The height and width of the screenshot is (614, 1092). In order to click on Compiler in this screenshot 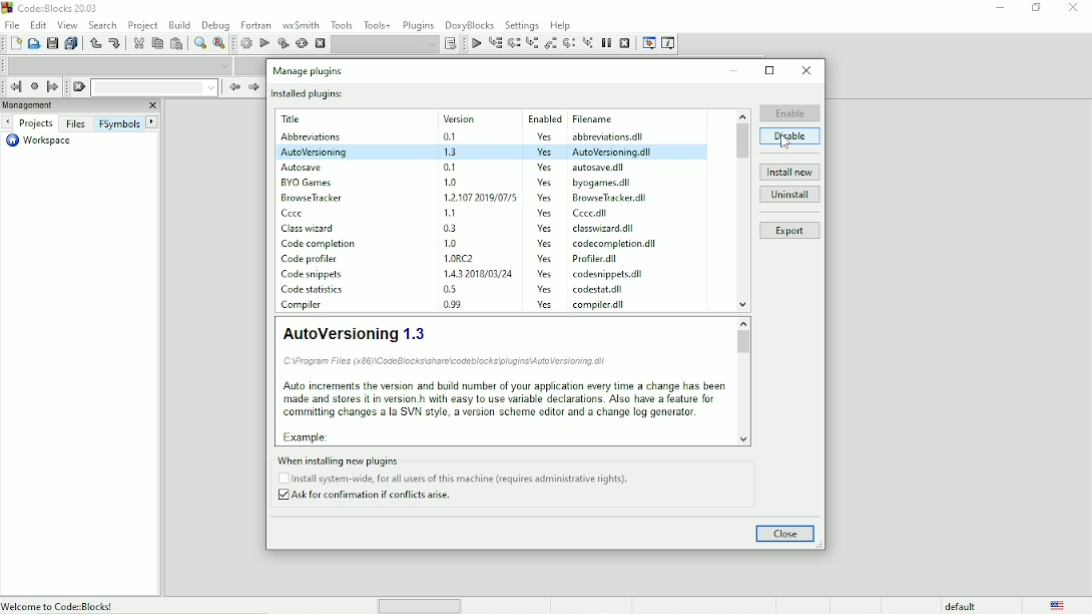, I will do `click(304, 306)`.